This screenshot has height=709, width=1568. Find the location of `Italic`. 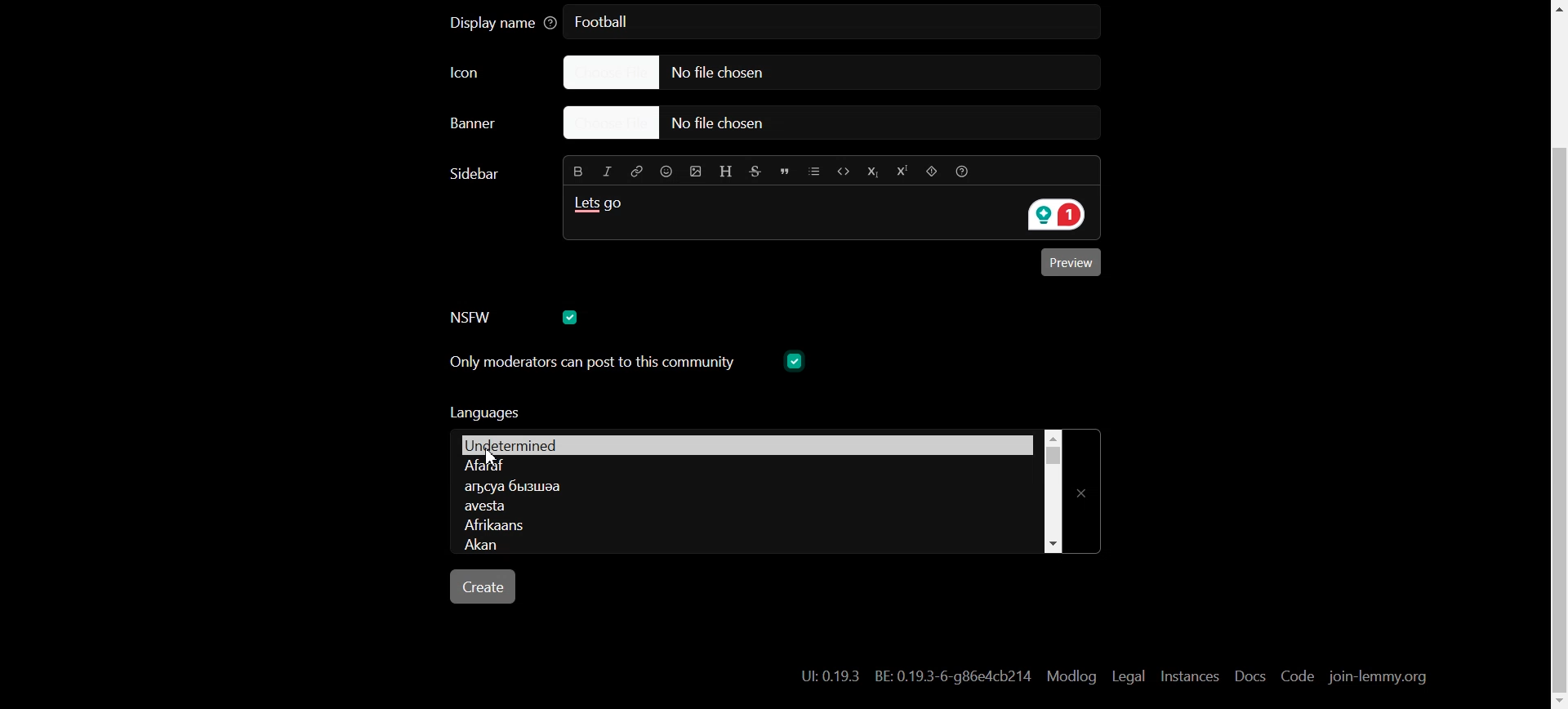

Italic is located at coordinates (608, 170).